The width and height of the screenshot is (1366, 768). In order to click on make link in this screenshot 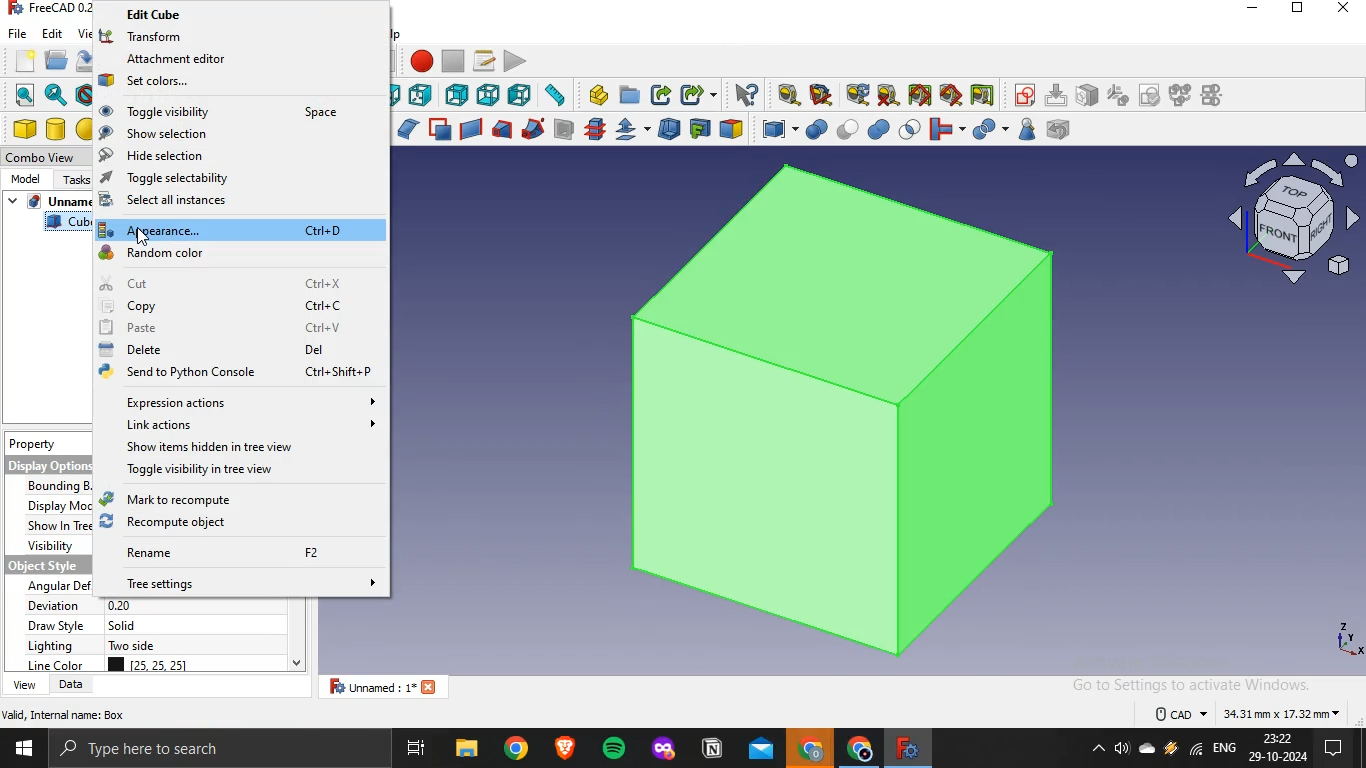, I will do `click(662, 95)`.